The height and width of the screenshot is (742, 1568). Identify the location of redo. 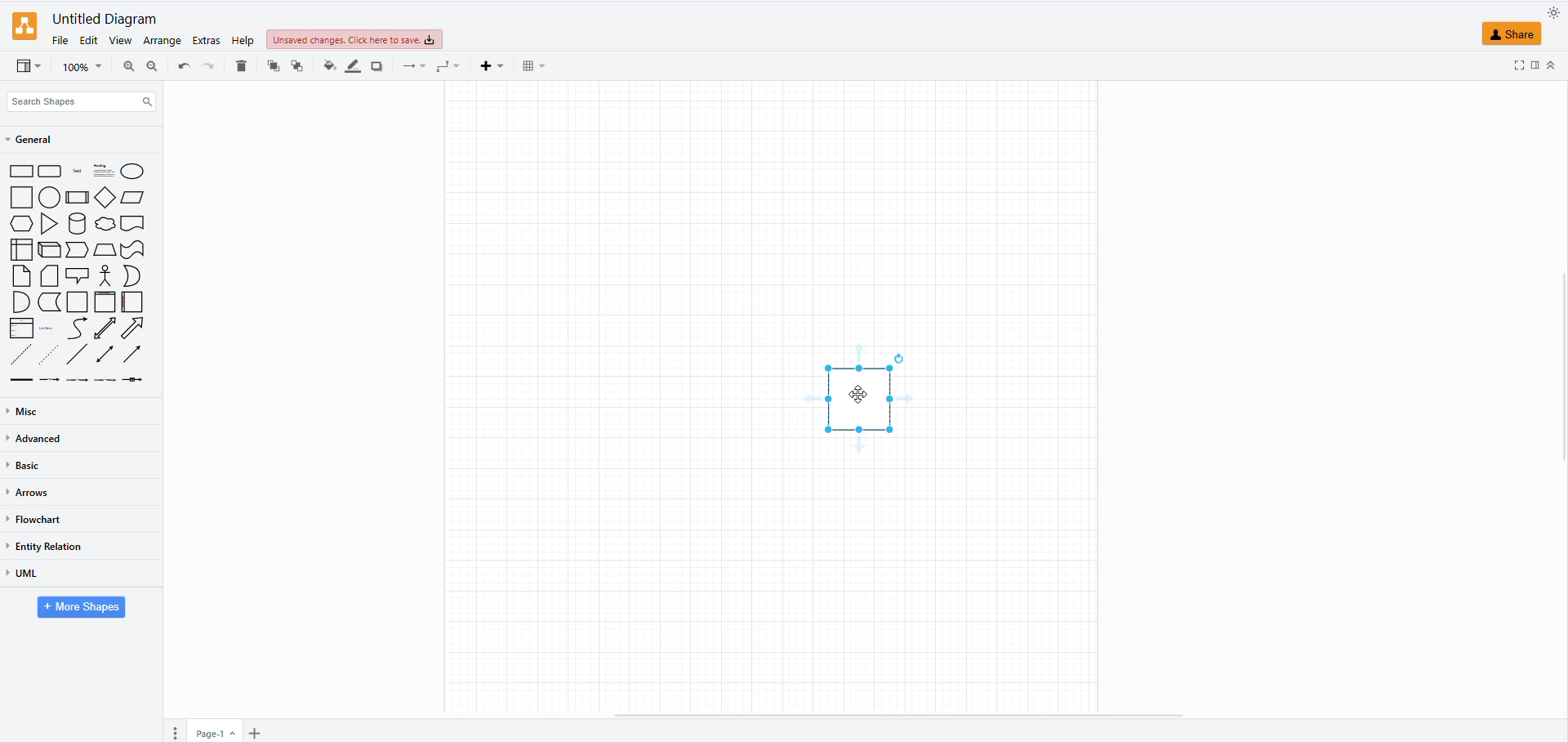
(180, 65).